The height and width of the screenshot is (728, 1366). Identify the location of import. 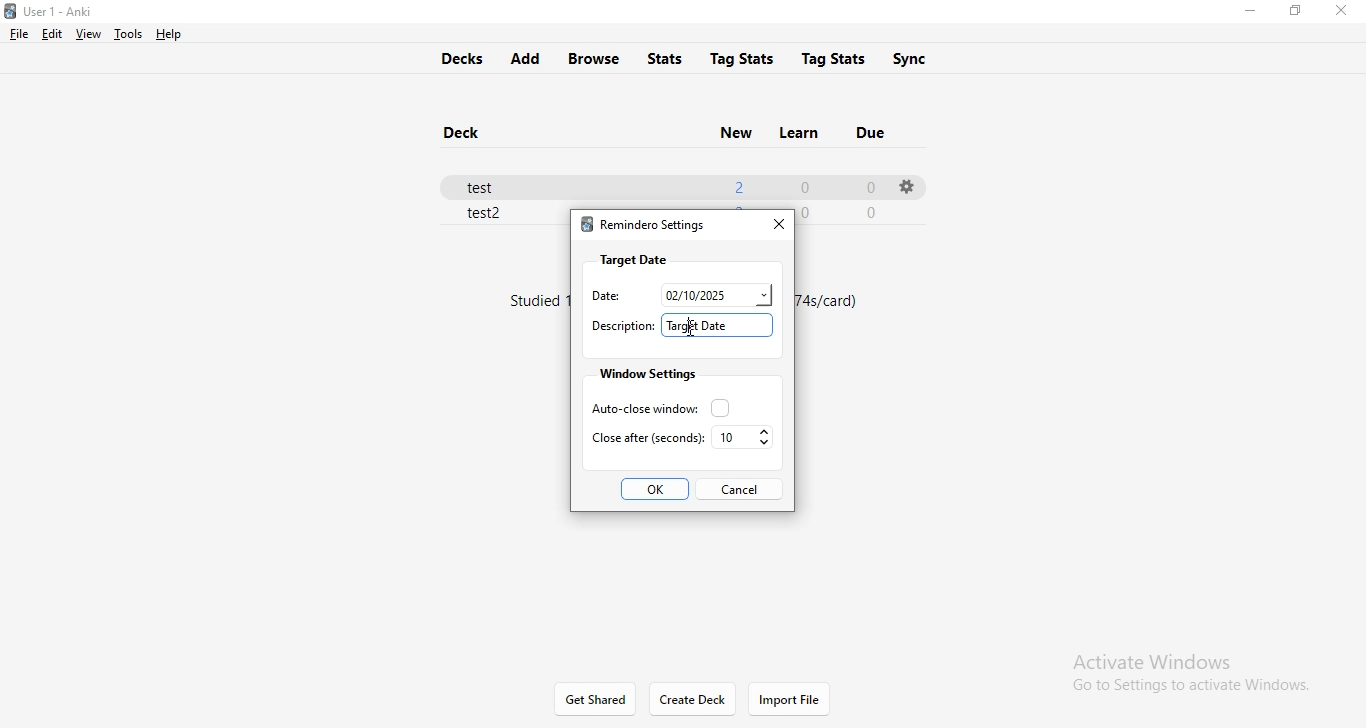
(789, 700).